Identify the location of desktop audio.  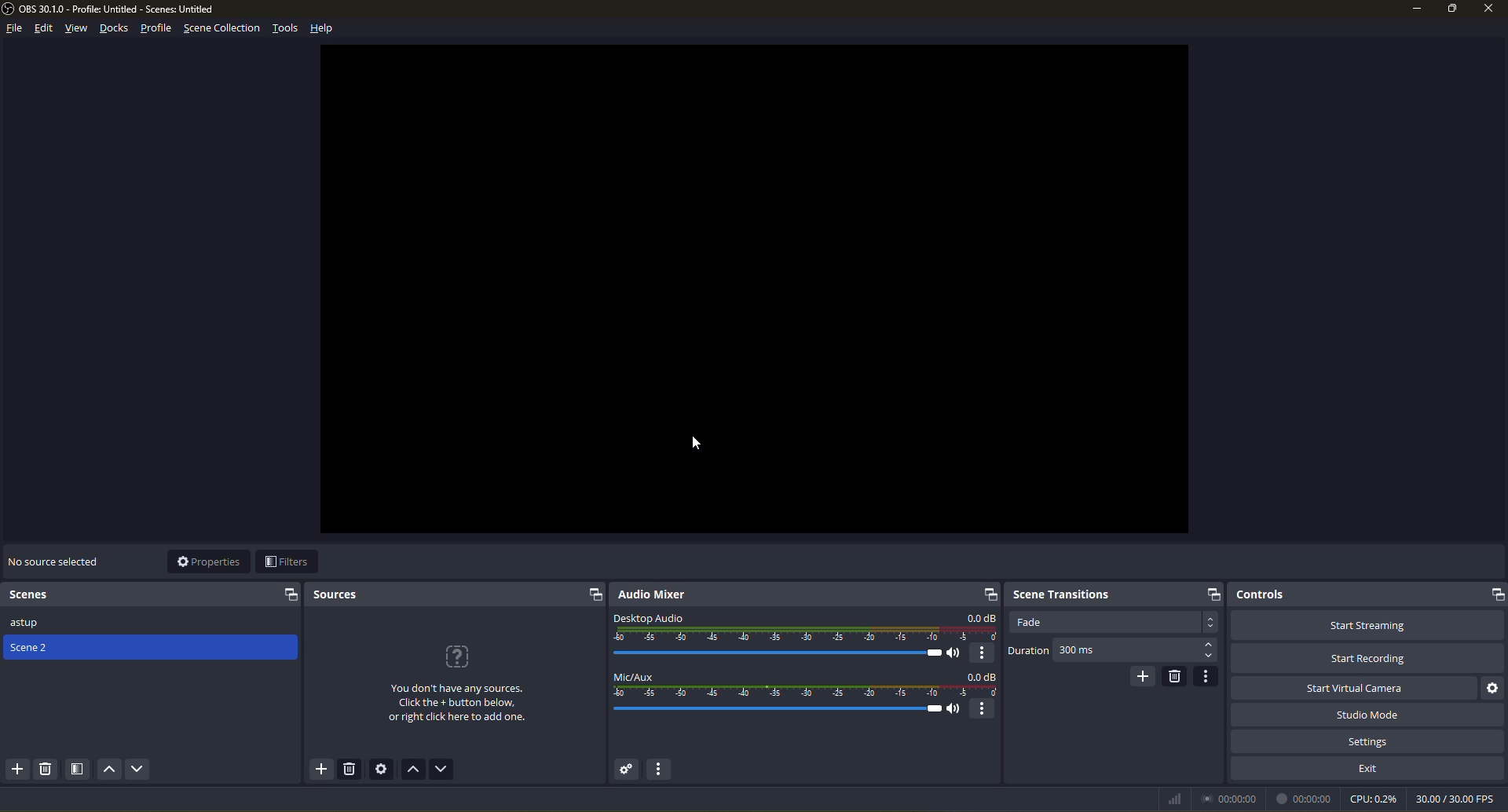
(647, 619).